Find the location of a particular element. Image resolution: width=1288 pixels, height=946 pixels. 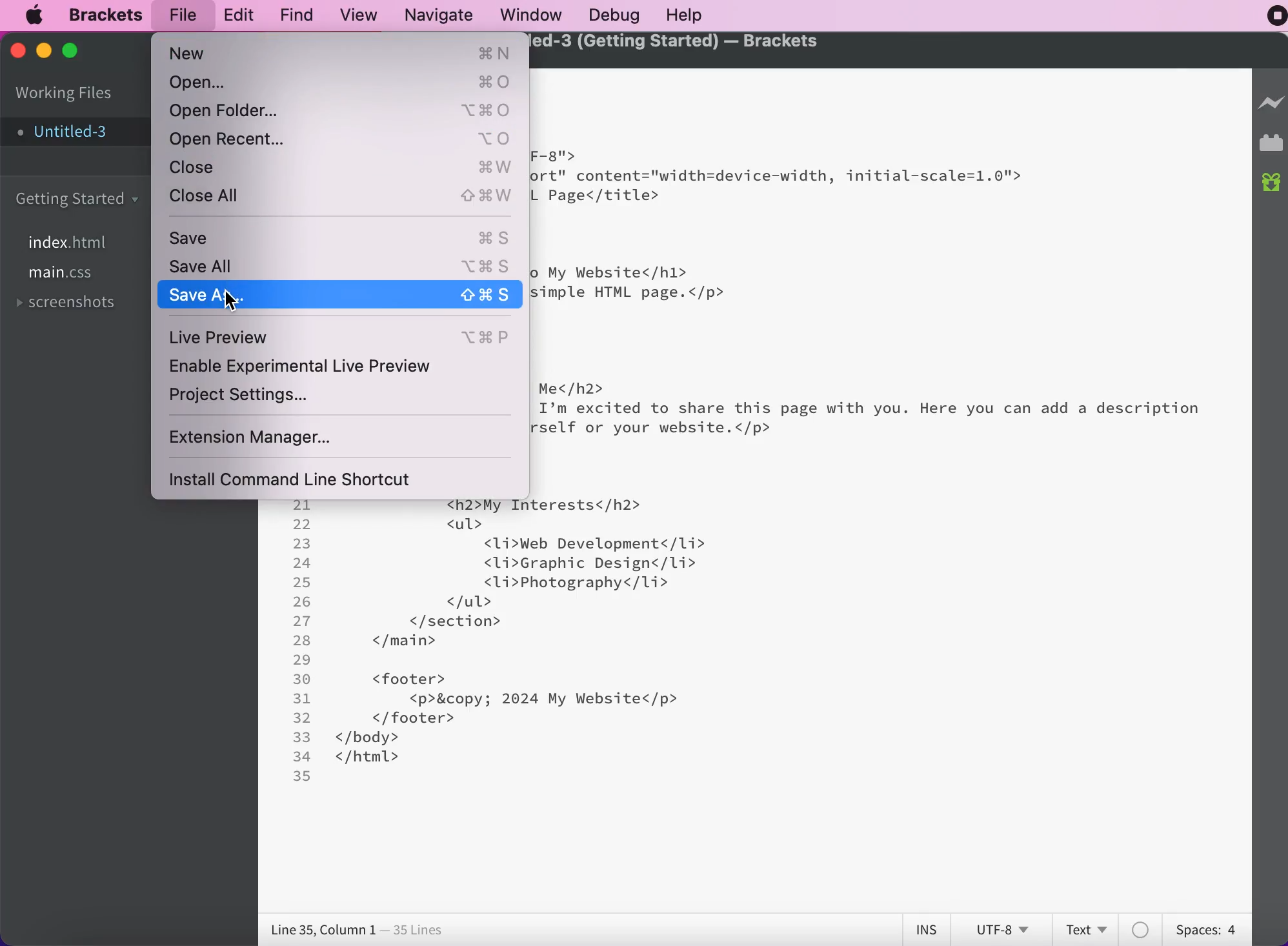

34 is located at coordinates (303, 757).